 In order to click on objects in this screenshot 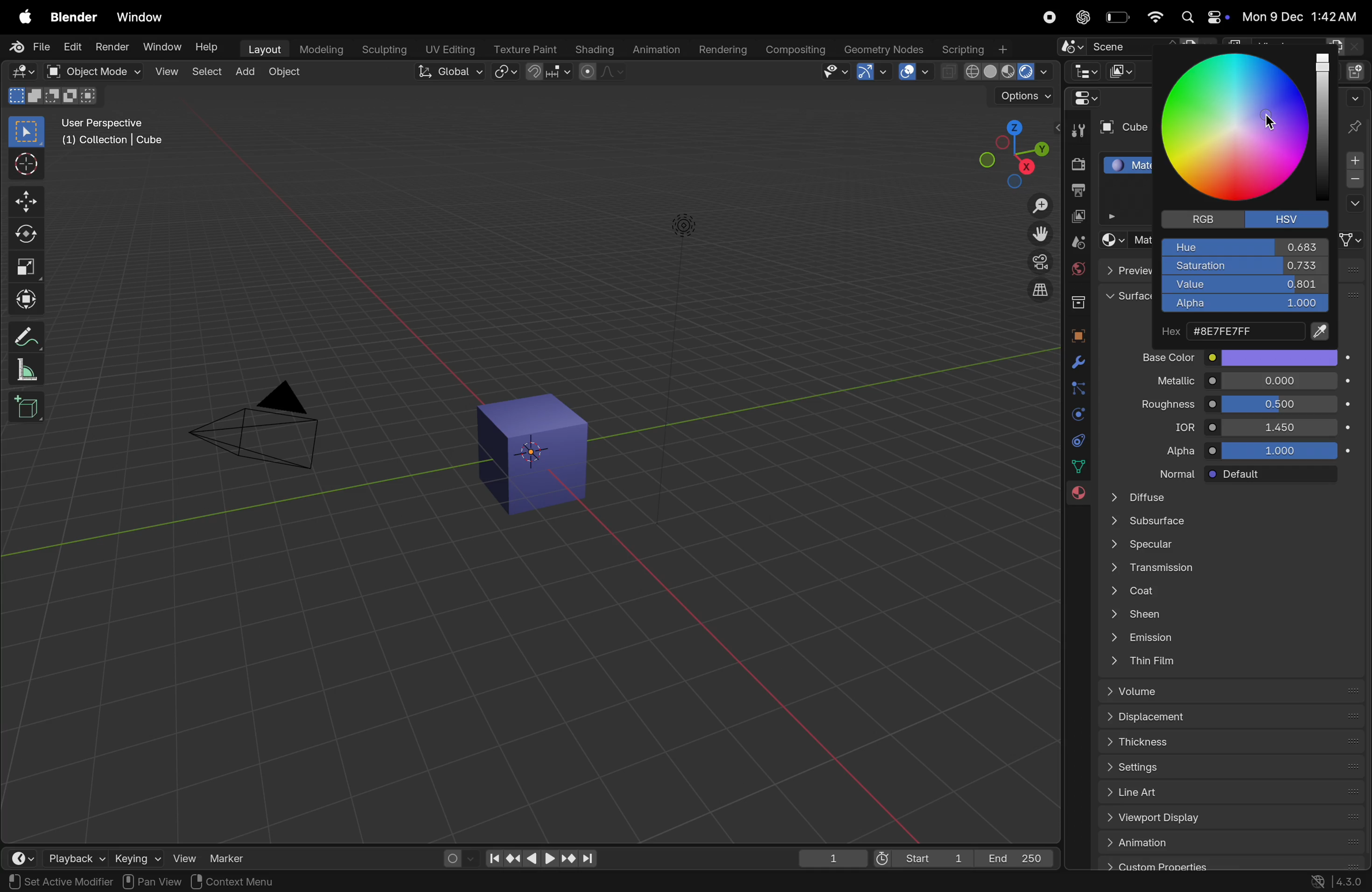, I will do `click(1075, 333)`.